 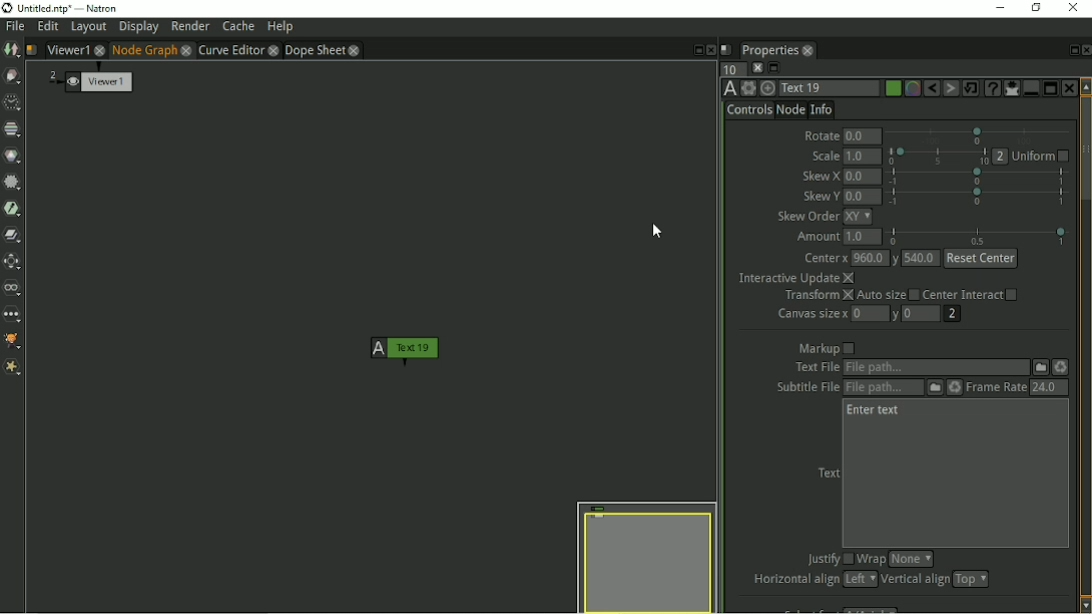 What do you see at coordinates (919, 313) in the screenshot?
I see `0` at bounding box center [919, 313].